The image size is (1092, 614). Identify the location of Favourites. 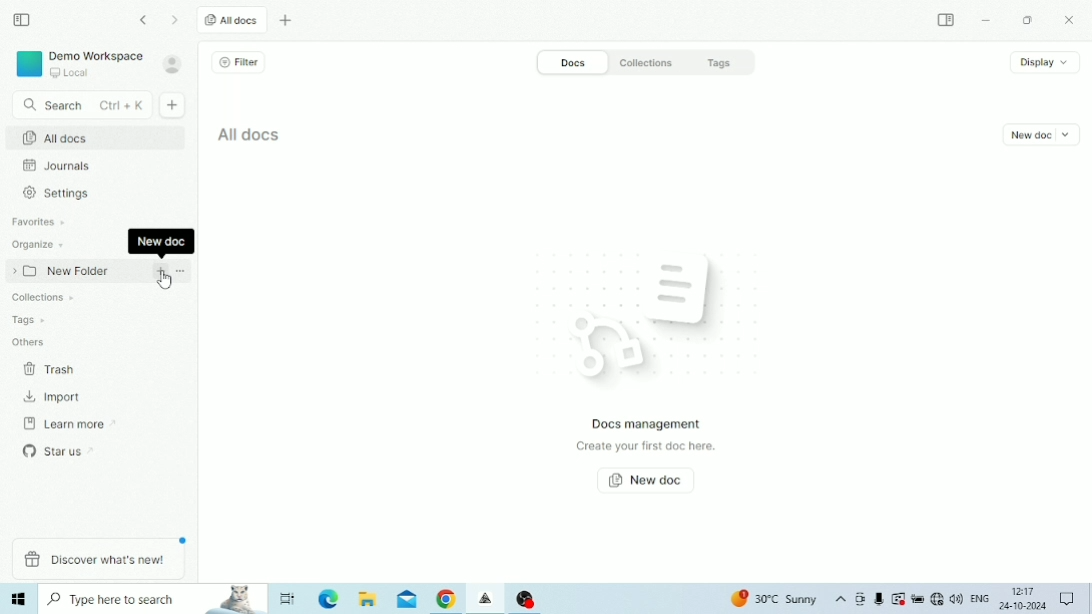
(40, 222).